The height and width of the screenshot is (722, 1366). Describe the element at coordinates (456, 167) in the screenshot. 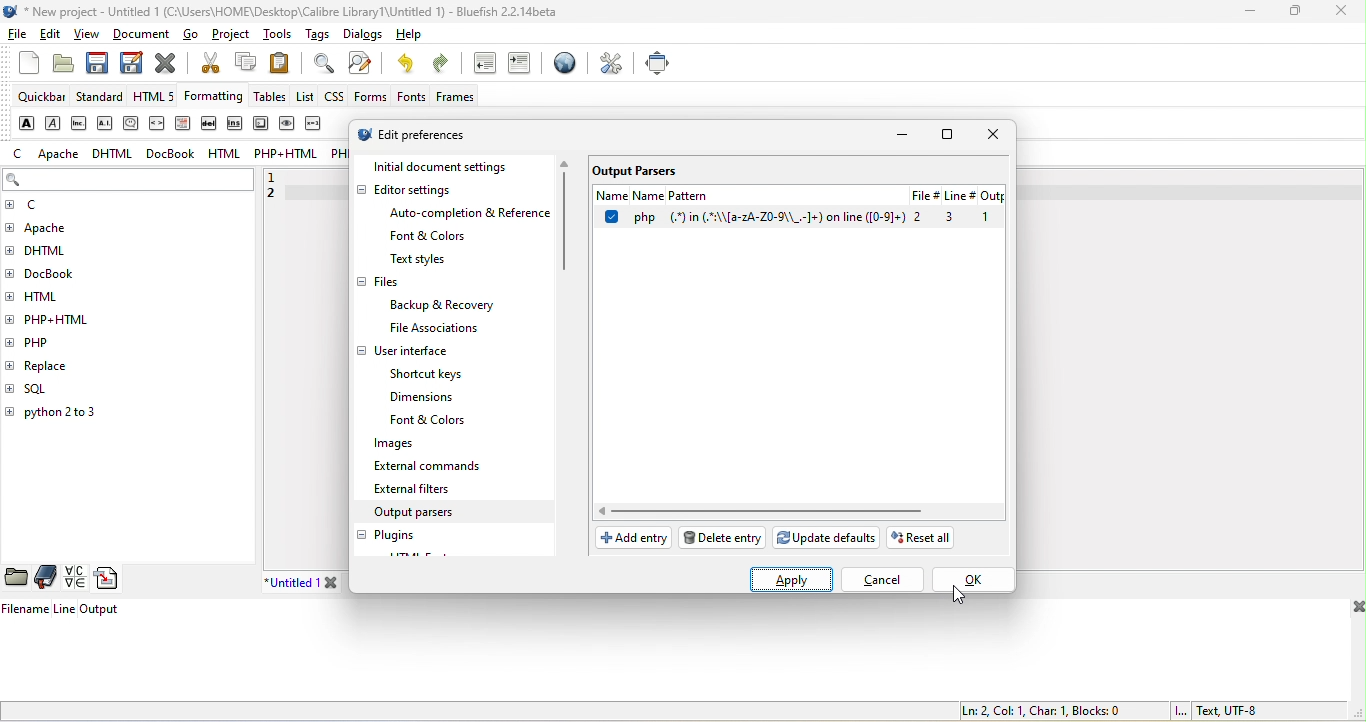

I see `initial document settings` at that location.